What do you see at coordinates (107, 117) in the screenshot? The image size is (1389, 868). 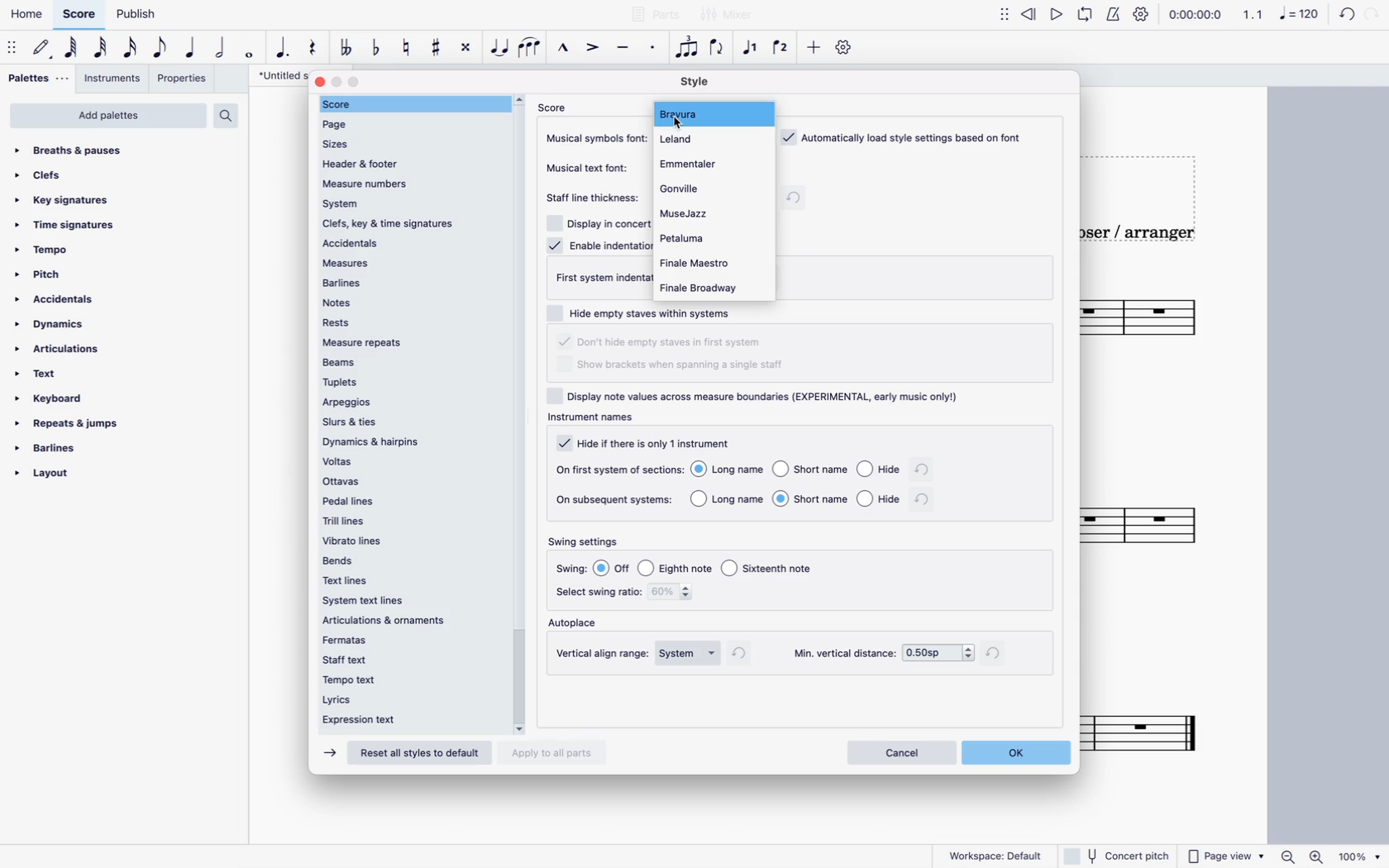 I see `add palettes` at bounding box center [107, 117].